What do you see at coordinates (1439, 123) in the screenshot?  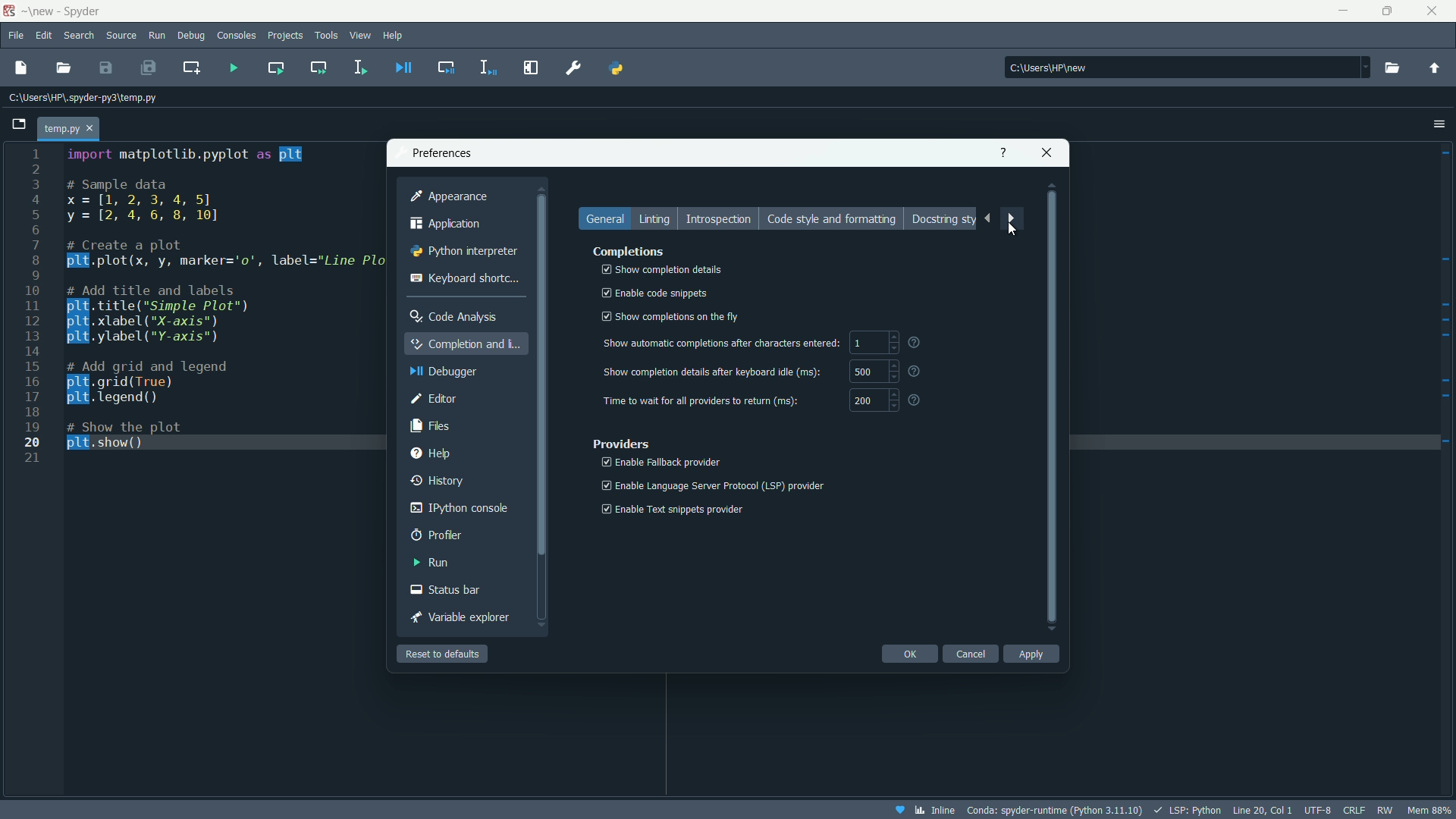 I see `options` at bounding box center [1439, 123].